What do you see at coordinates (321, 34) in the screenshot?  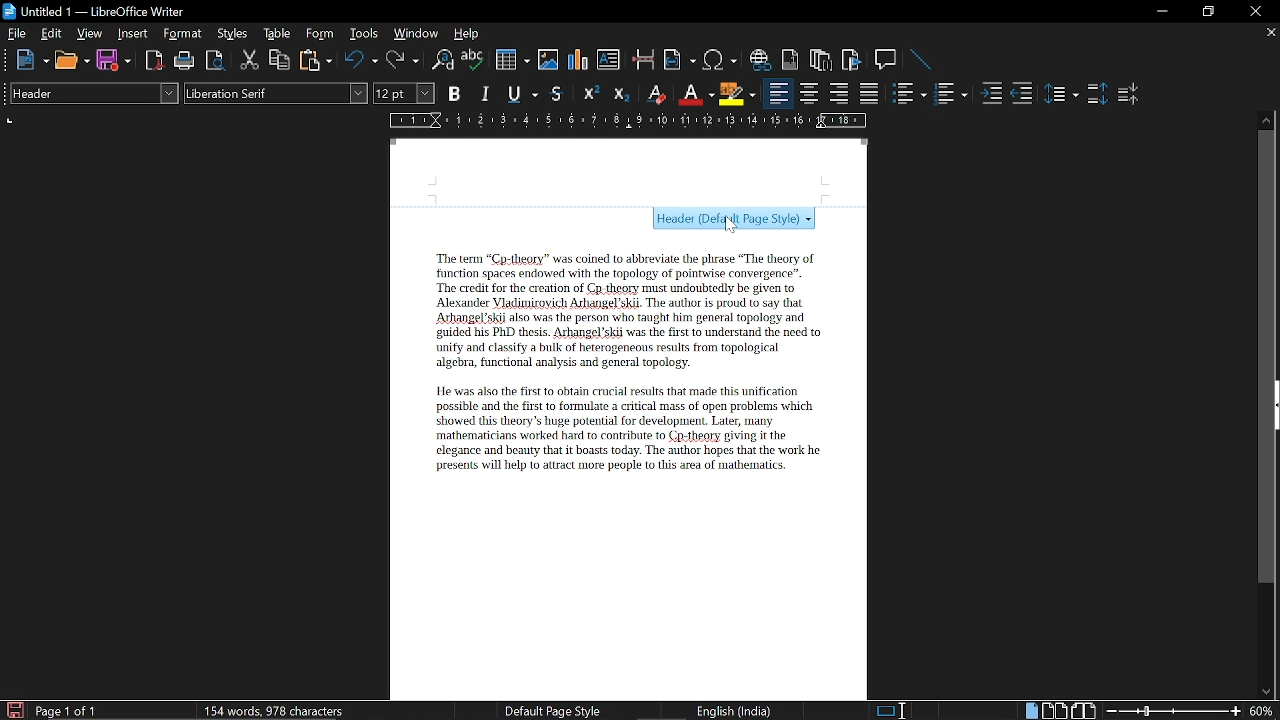 I see `Form` at bounding box center [321, 34].